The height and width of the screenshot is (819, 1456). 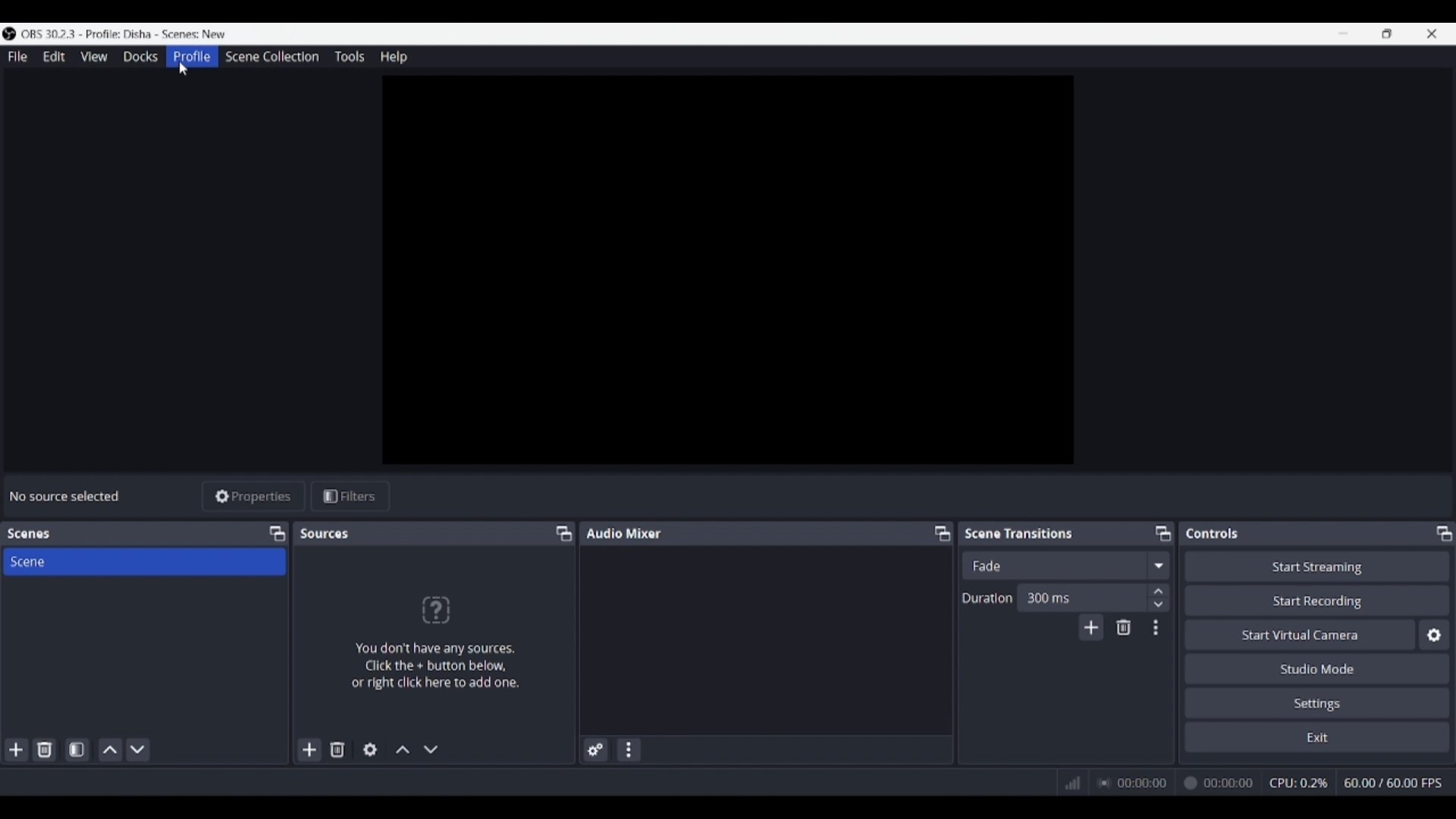 What do you see at coordinates (403, 749) in the screenshot?
I see `Move source up` at bounding box center [403, 749].